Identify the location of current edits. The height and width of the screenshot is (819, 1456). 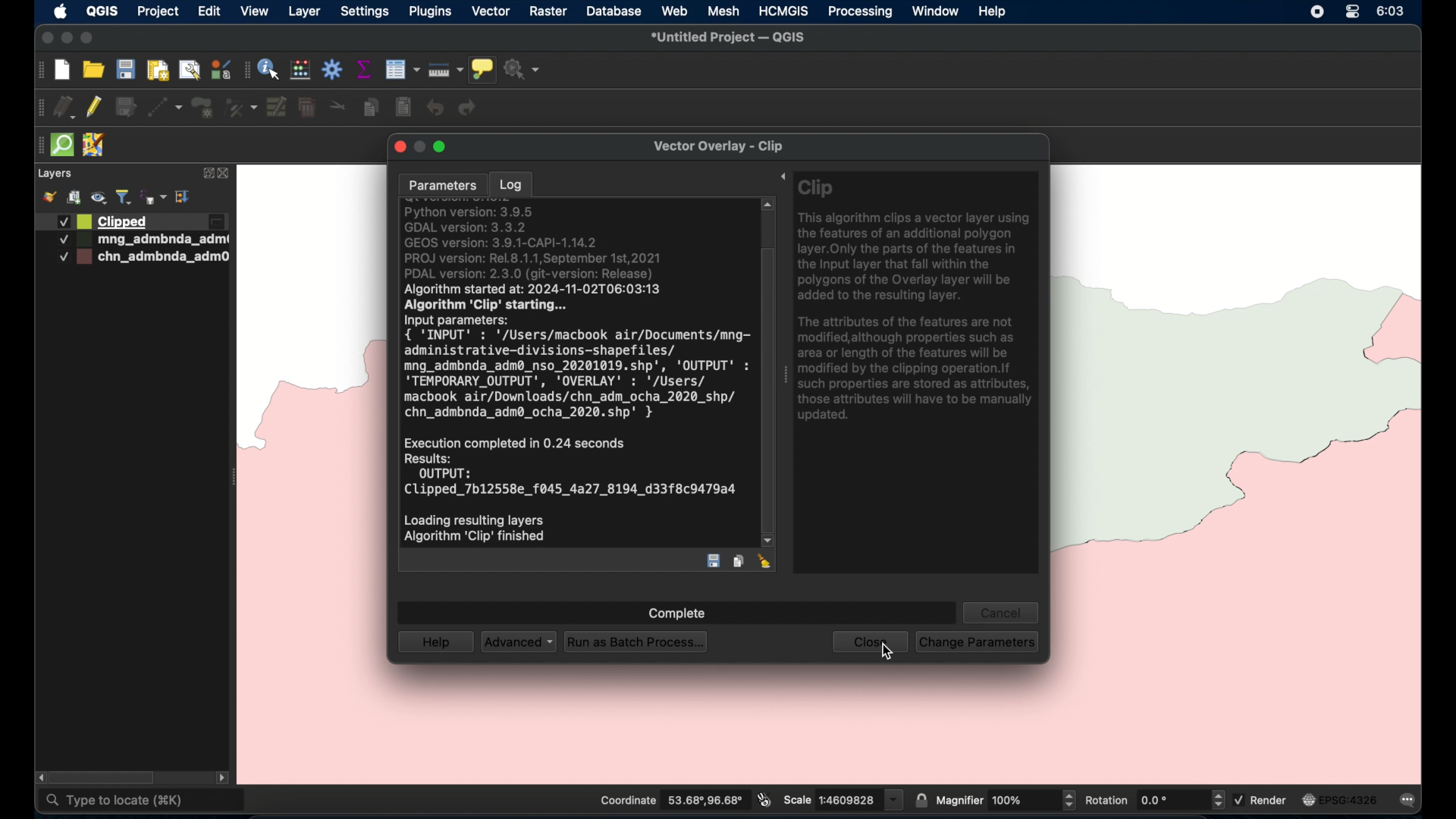
(65, 108).